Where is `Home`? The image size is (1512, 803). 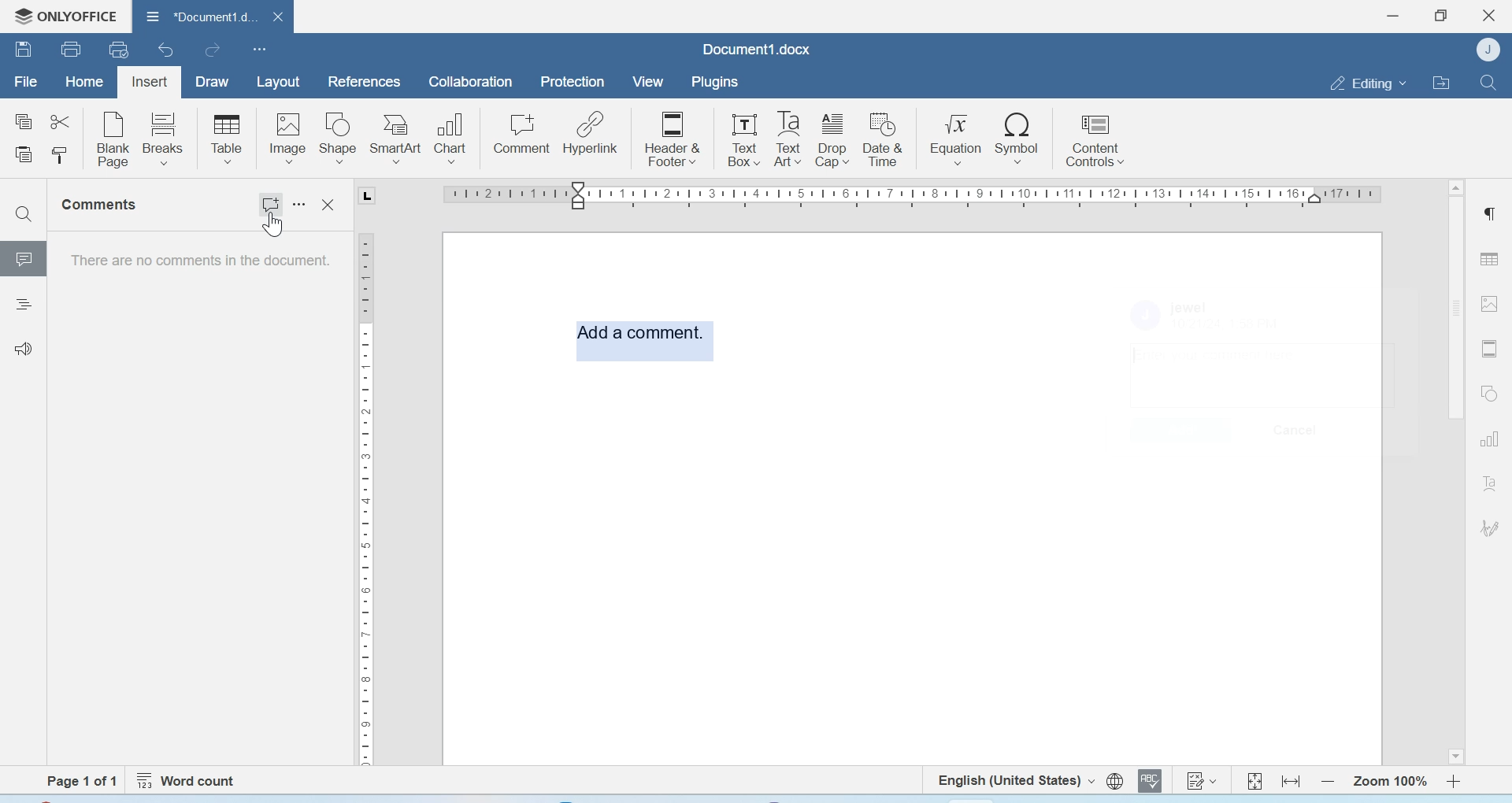 Home is located at coordinates (83, 80).